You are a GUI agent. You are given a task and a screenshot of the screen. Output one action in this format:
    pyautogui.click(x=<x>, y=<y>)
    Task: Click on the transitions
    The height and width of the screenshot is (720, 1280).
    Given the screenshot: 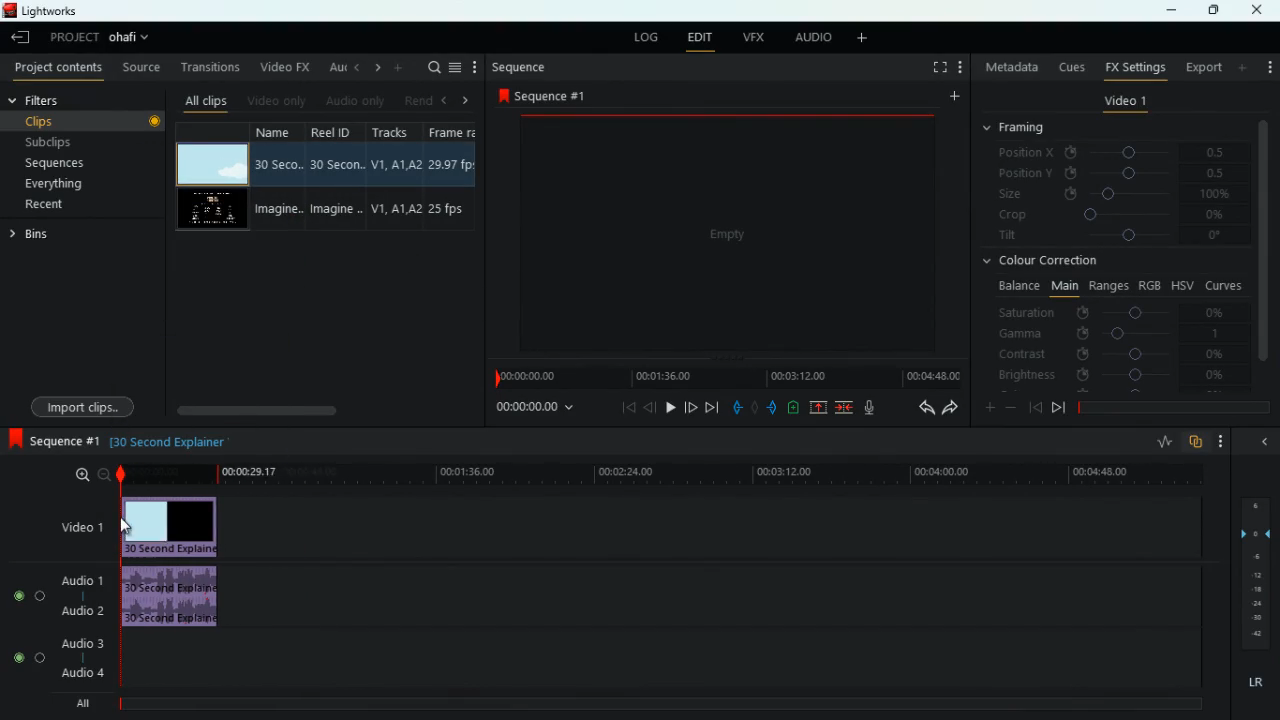 What is the action you would take?
    pyautogui.click(x=207, y=66)
    